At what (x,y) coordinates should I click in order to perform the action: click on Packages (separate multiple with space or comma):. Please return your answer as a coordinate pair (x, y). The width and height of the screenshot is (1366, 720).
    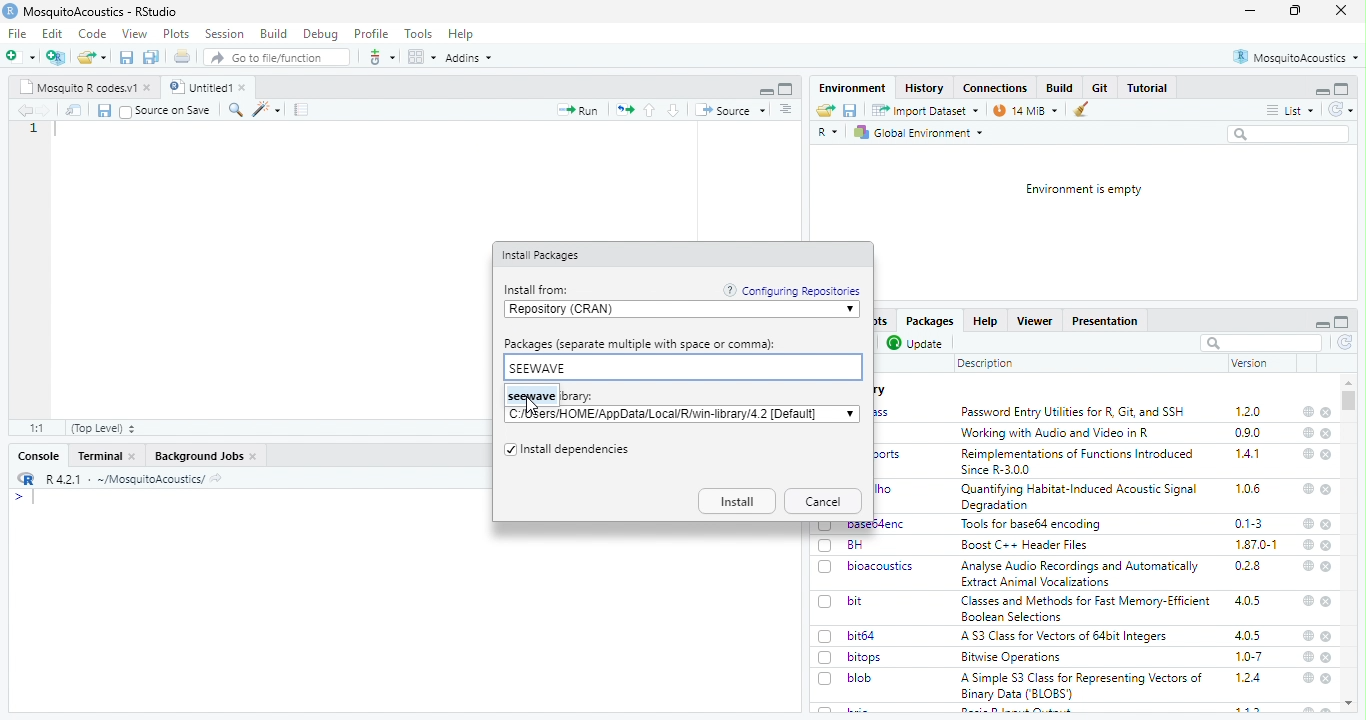
    Looking at the image, I should click on (641, 344).